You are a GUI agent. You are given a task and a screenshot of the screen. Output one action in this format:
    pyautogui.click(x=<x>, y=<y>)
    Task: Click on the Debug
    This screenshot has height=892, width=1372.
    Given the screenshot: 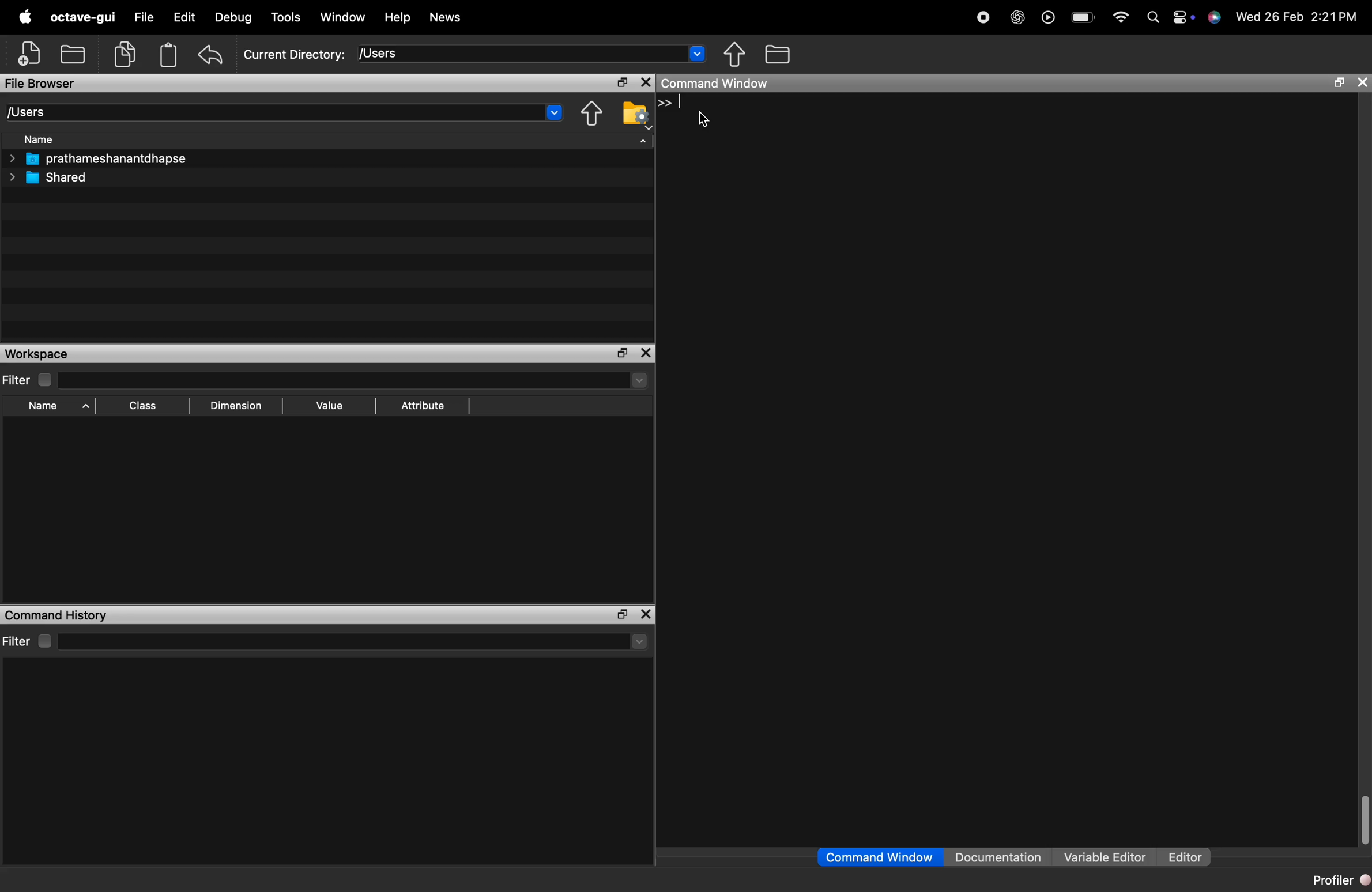 What is the action you would take?
    pyautogui.click(x=231, y=17)
    